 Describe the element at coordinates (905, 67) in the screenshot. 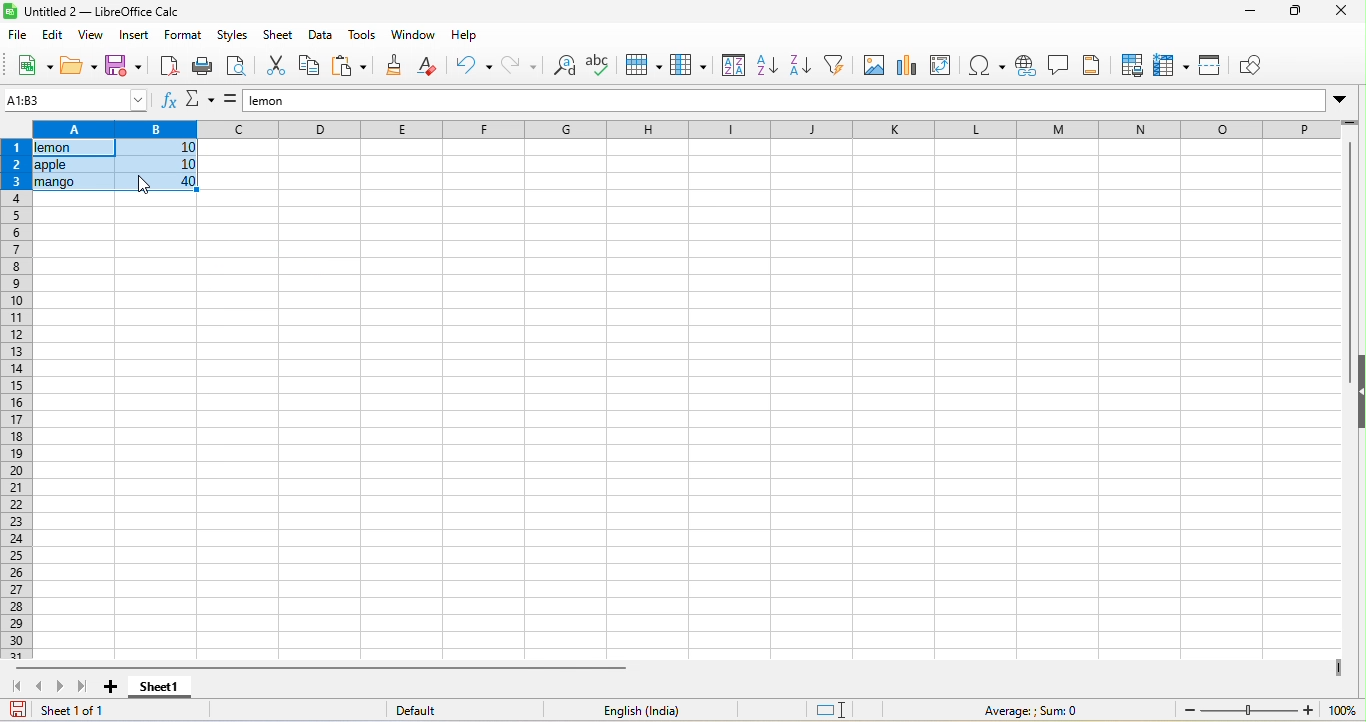

I see `chart` at that location.